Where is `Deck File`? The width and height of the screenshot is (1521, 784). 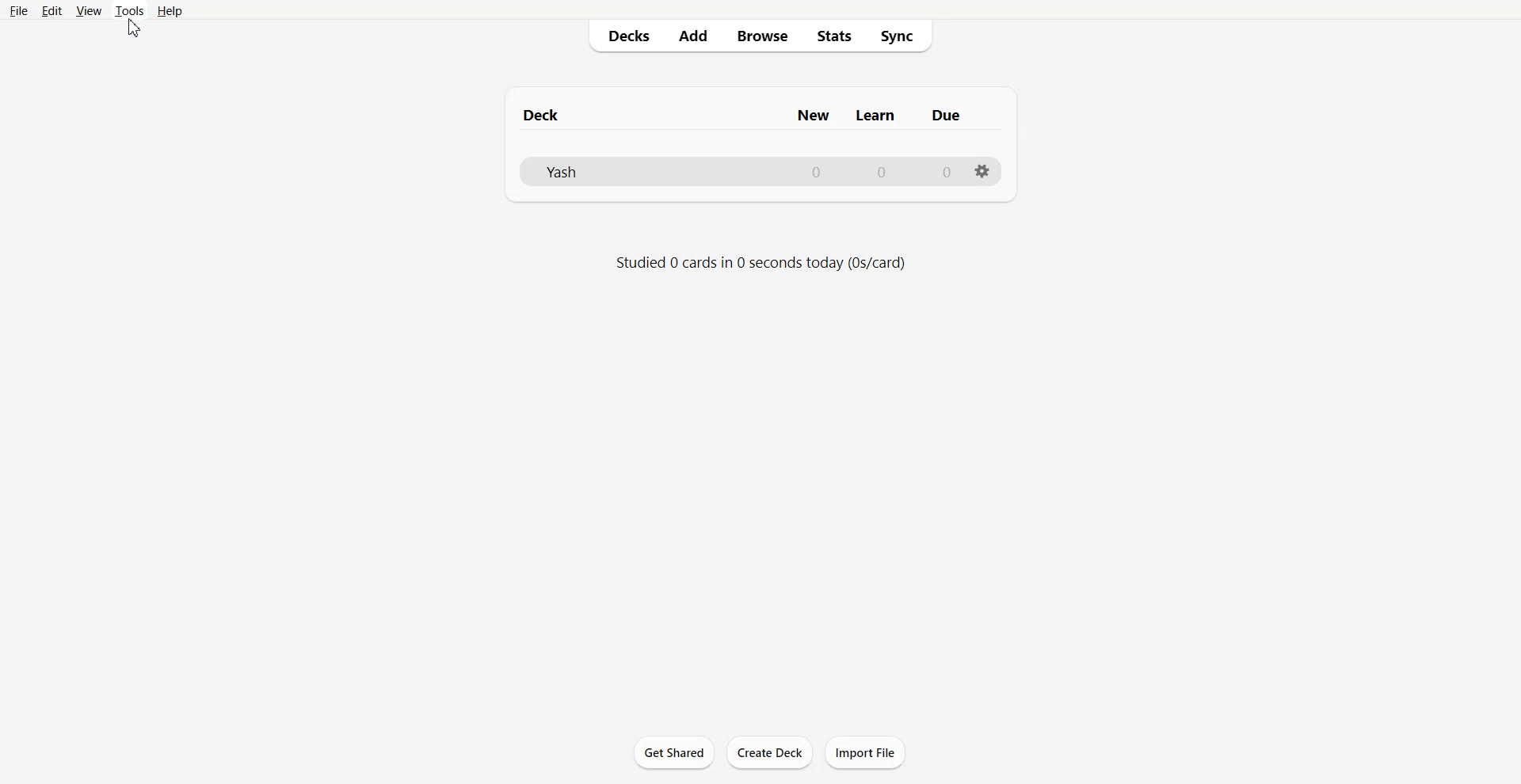
Deck File is located at coordinates (650, 172).